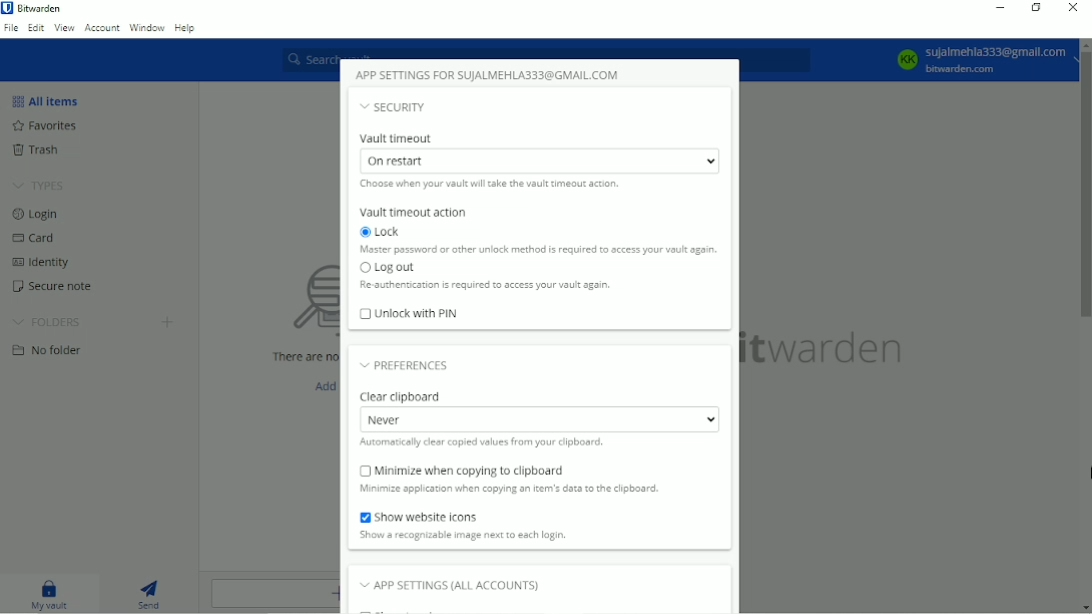 This screenshot has width=1092, height=614. I want to click on Never, so click(538, 419).